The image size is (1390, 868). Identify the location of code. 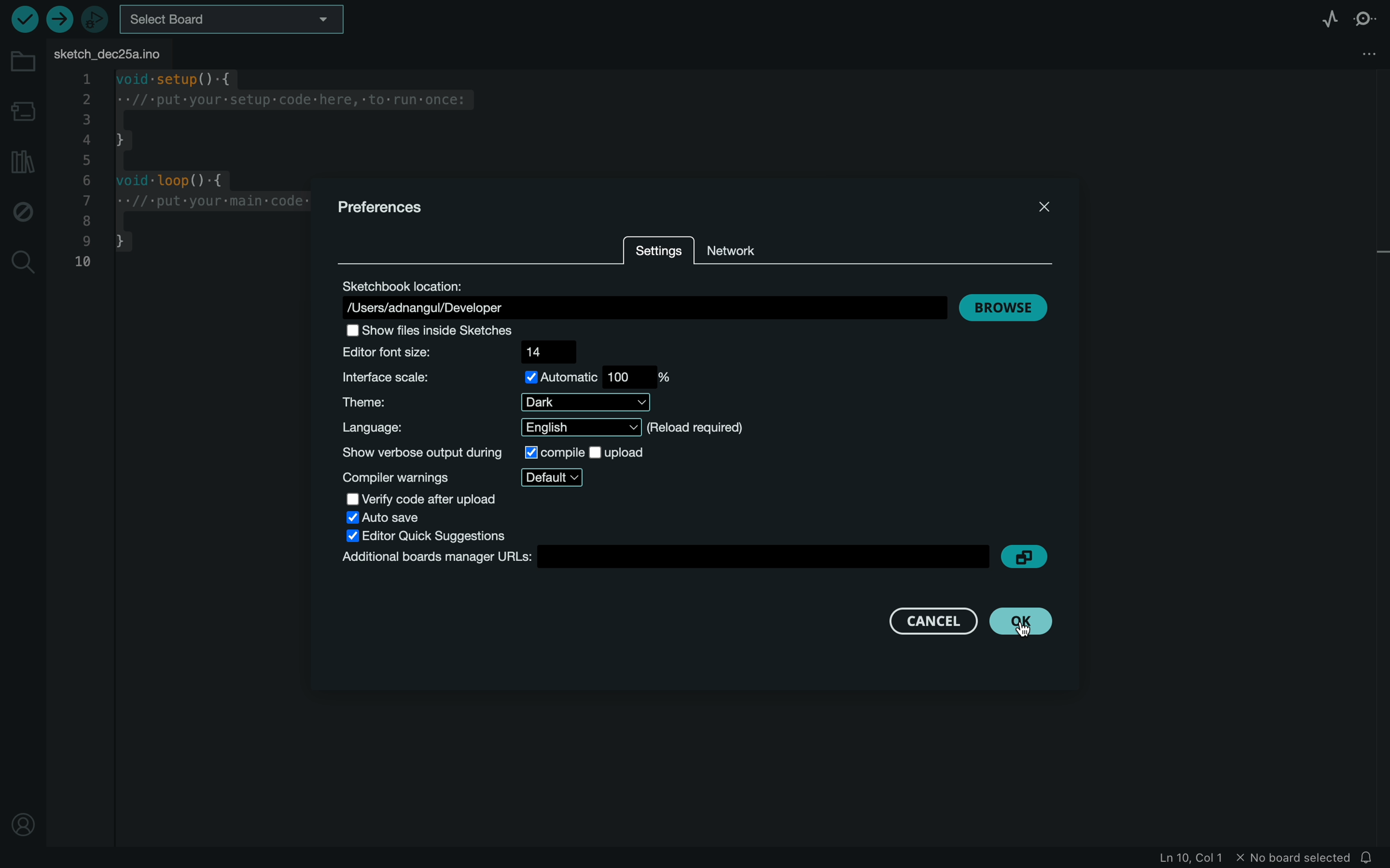
(177, 165).